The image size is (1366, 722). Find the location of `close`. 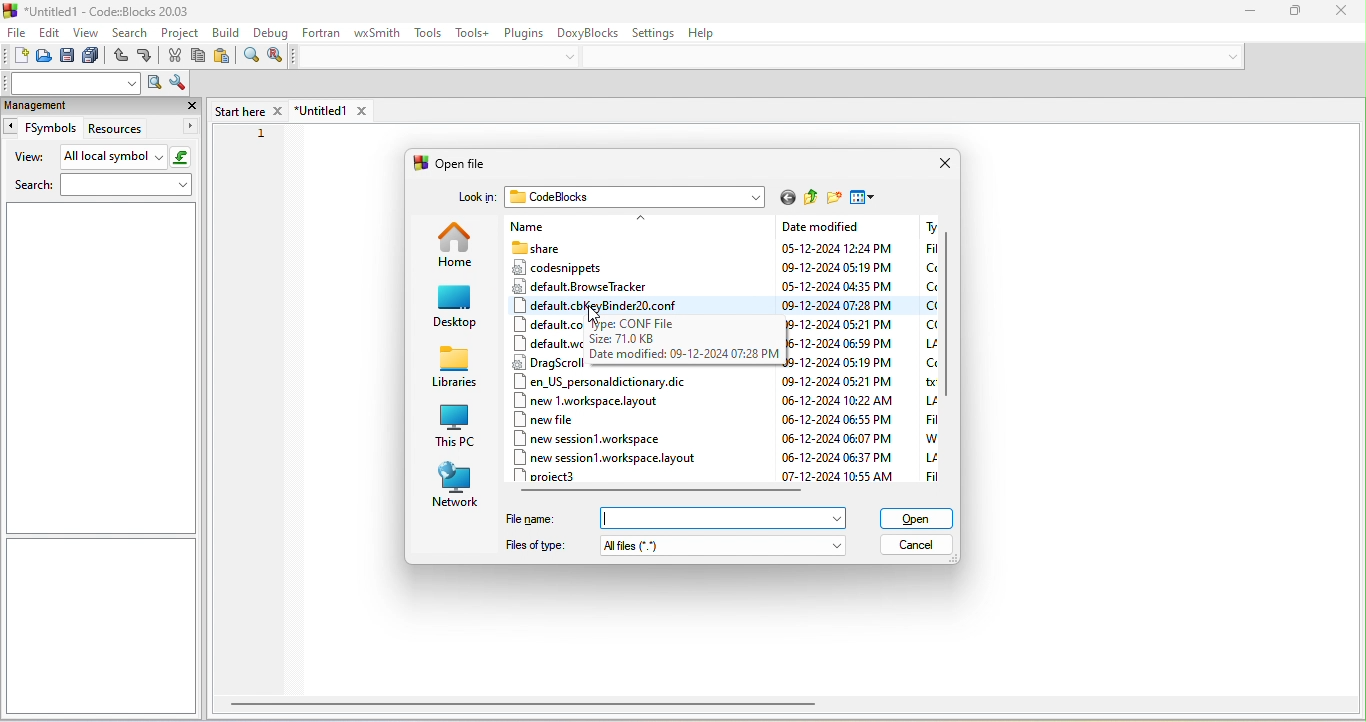

close is located at coordinates (1344, 13).